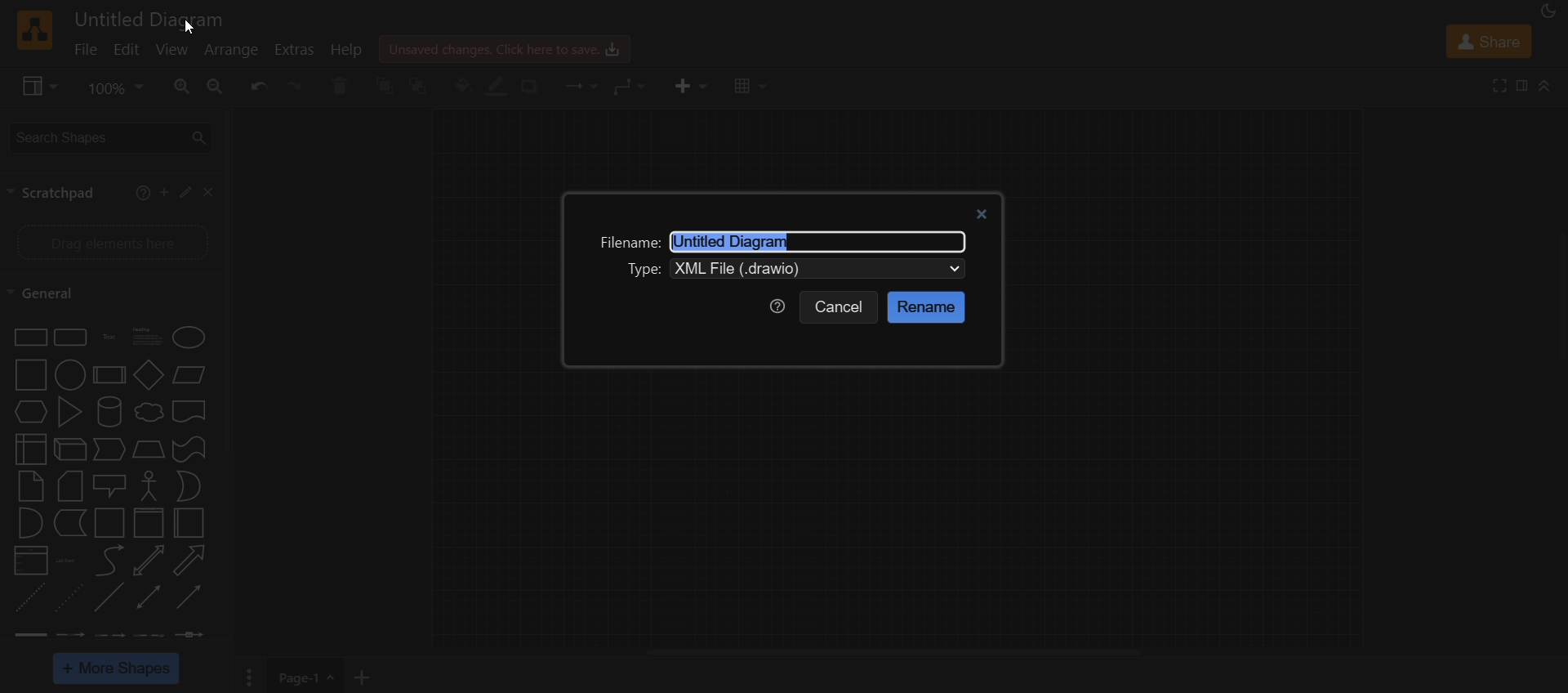 The image size is (1568, 693). What do you see at coordinates (296, 49) in the screenshot?
I see `extras` at bounding box center [296, 49].